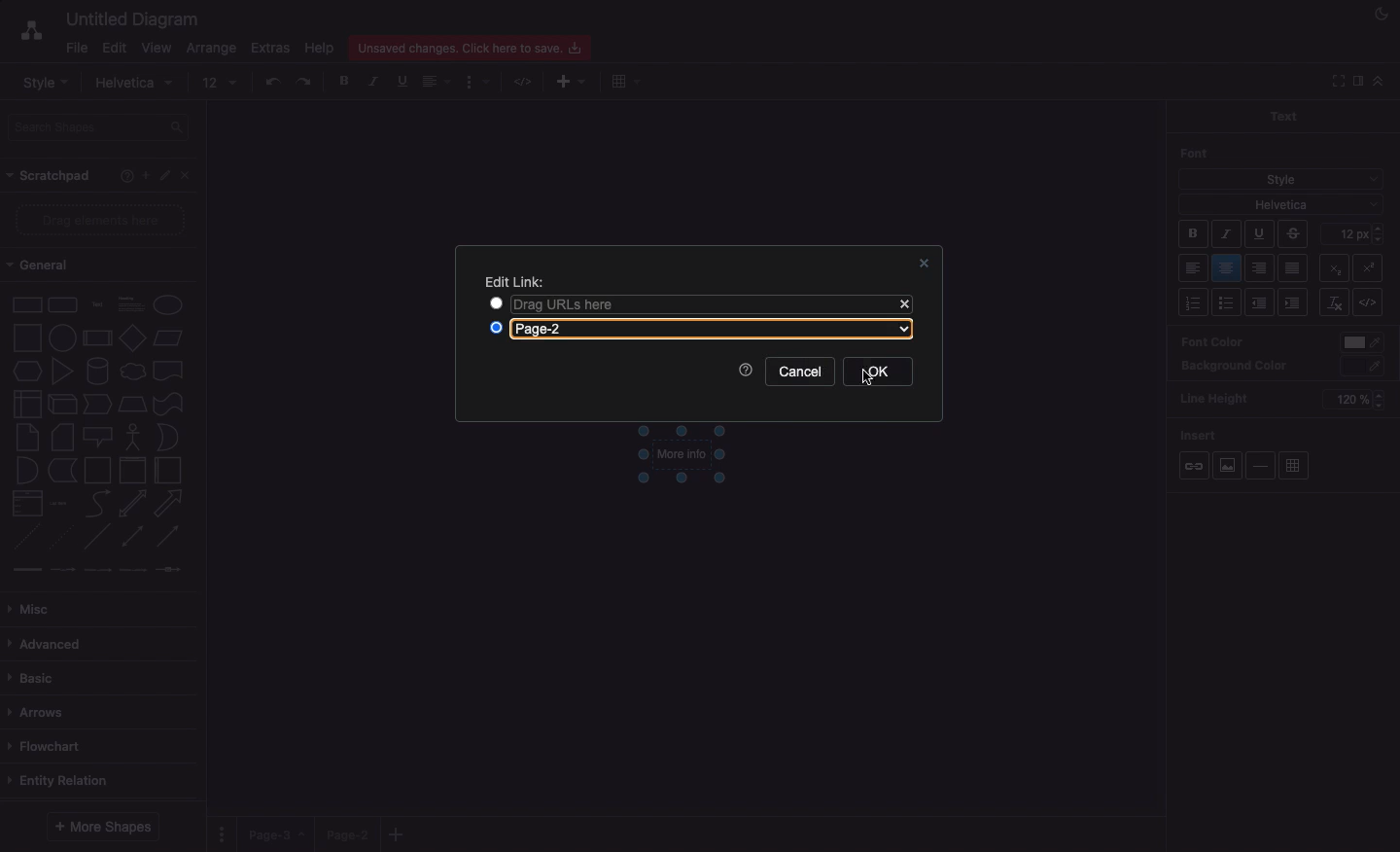 This screenshot has width=1400, height=852. What do you see at coordinates (166, 176) in the screenshot?
I see `Edit` at bounding box center [166, 176].